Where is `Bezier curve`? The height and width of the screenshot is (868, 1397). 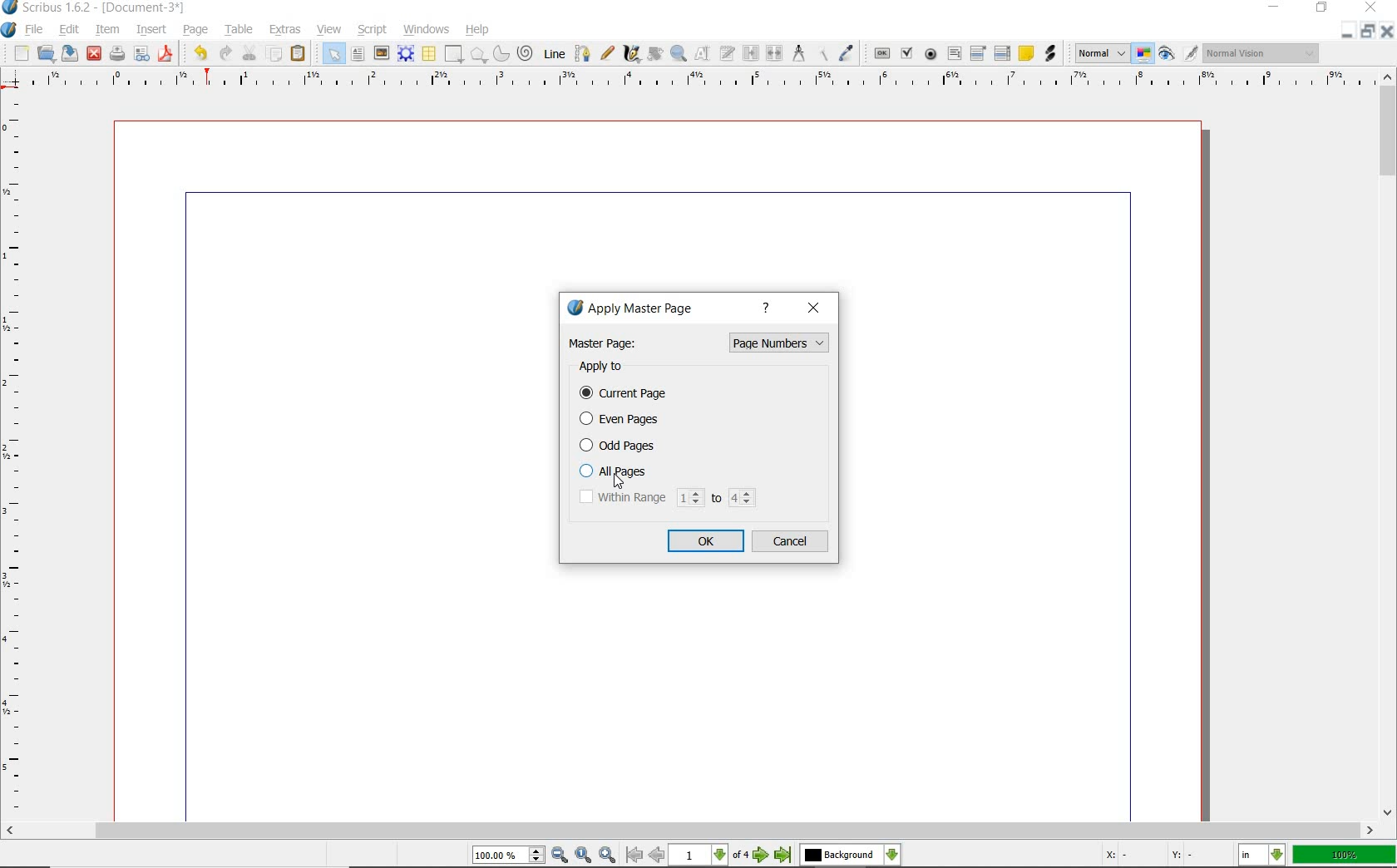
Bezier curve is located at coordinates (583, 53).